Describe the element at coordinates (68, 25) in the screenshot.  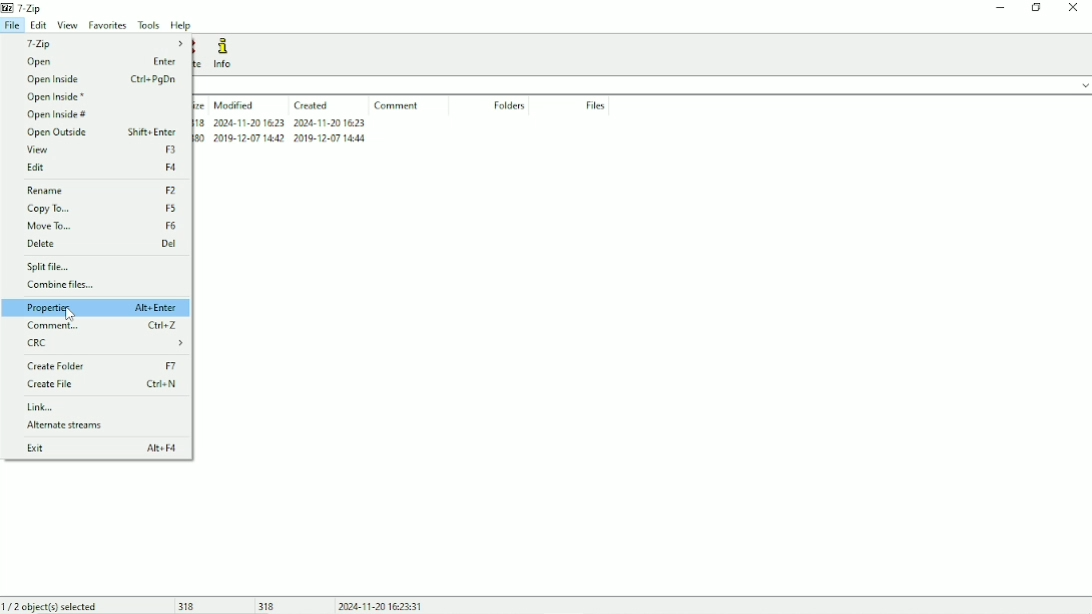
I see `View` at that location.